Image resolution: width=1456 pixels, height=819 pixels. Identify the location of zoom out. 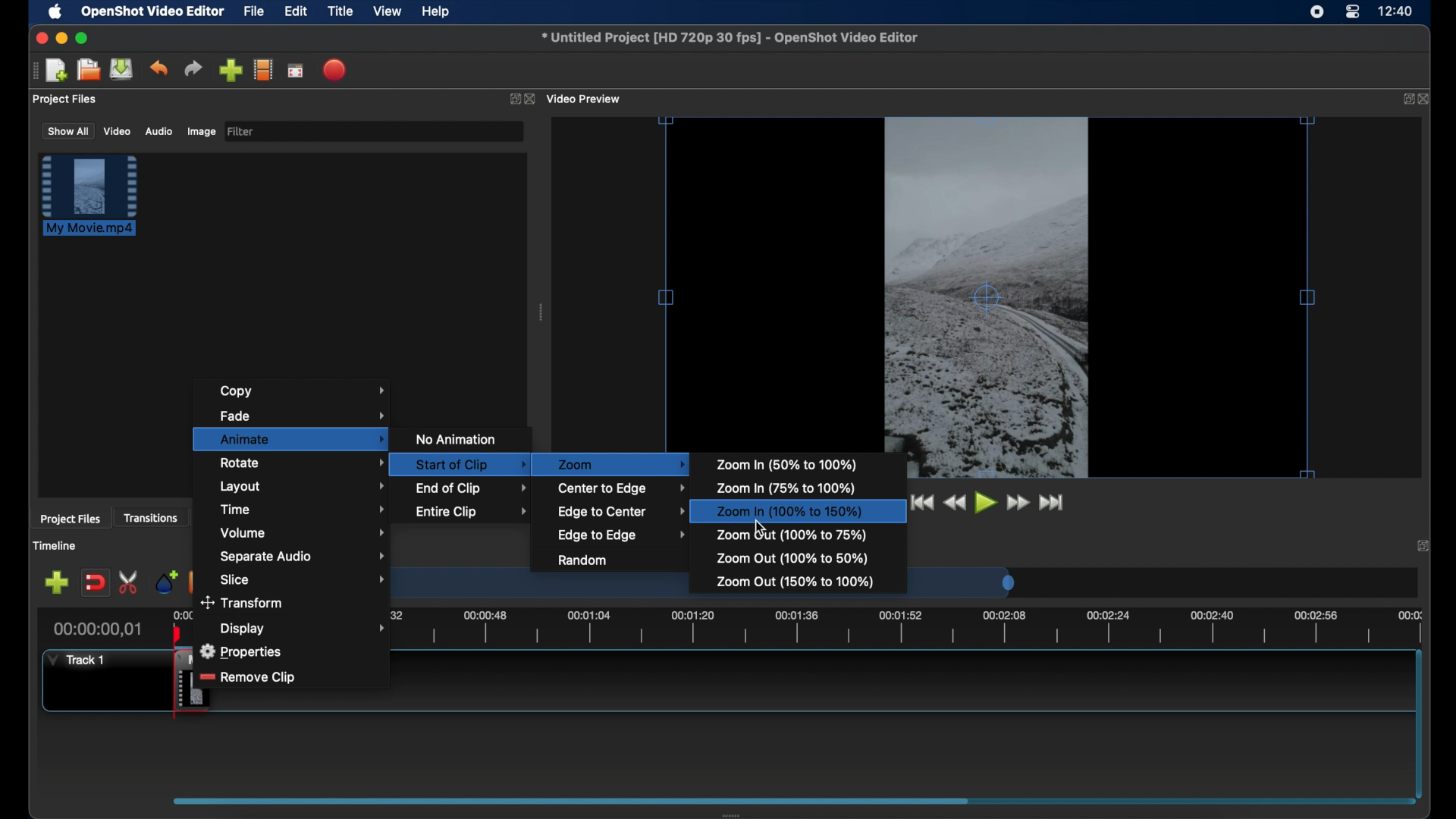
(795, 582).